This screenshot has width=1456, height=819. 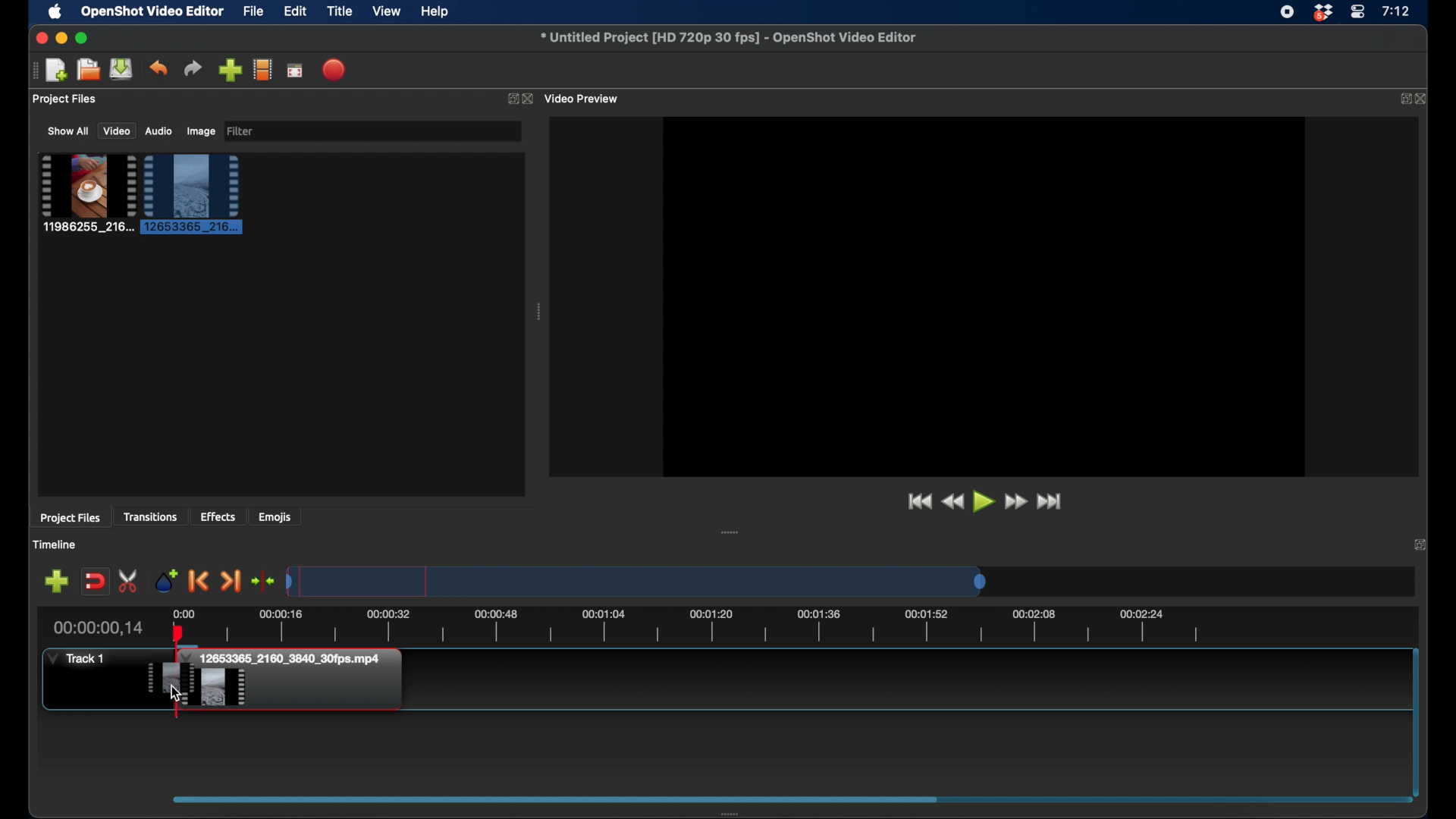 What do you see at coordinates (99, 628) in the screenshot?
I see `current time indicator` at bounding box center [99, 628].